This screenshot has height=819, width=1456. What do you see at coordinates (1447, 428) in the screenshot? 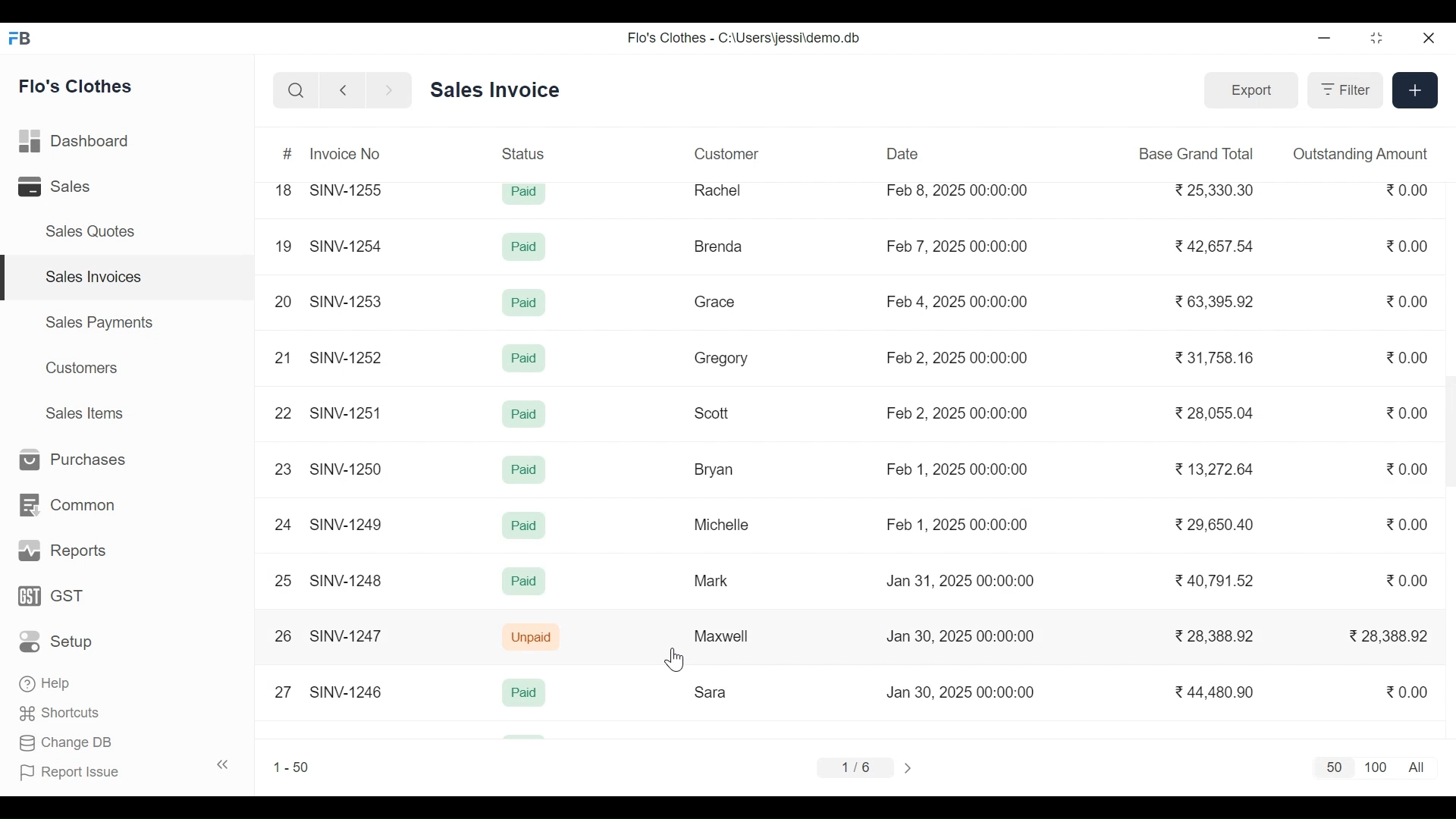
I see `Vertical Scroll bar` at bounding box center [1447, 428].